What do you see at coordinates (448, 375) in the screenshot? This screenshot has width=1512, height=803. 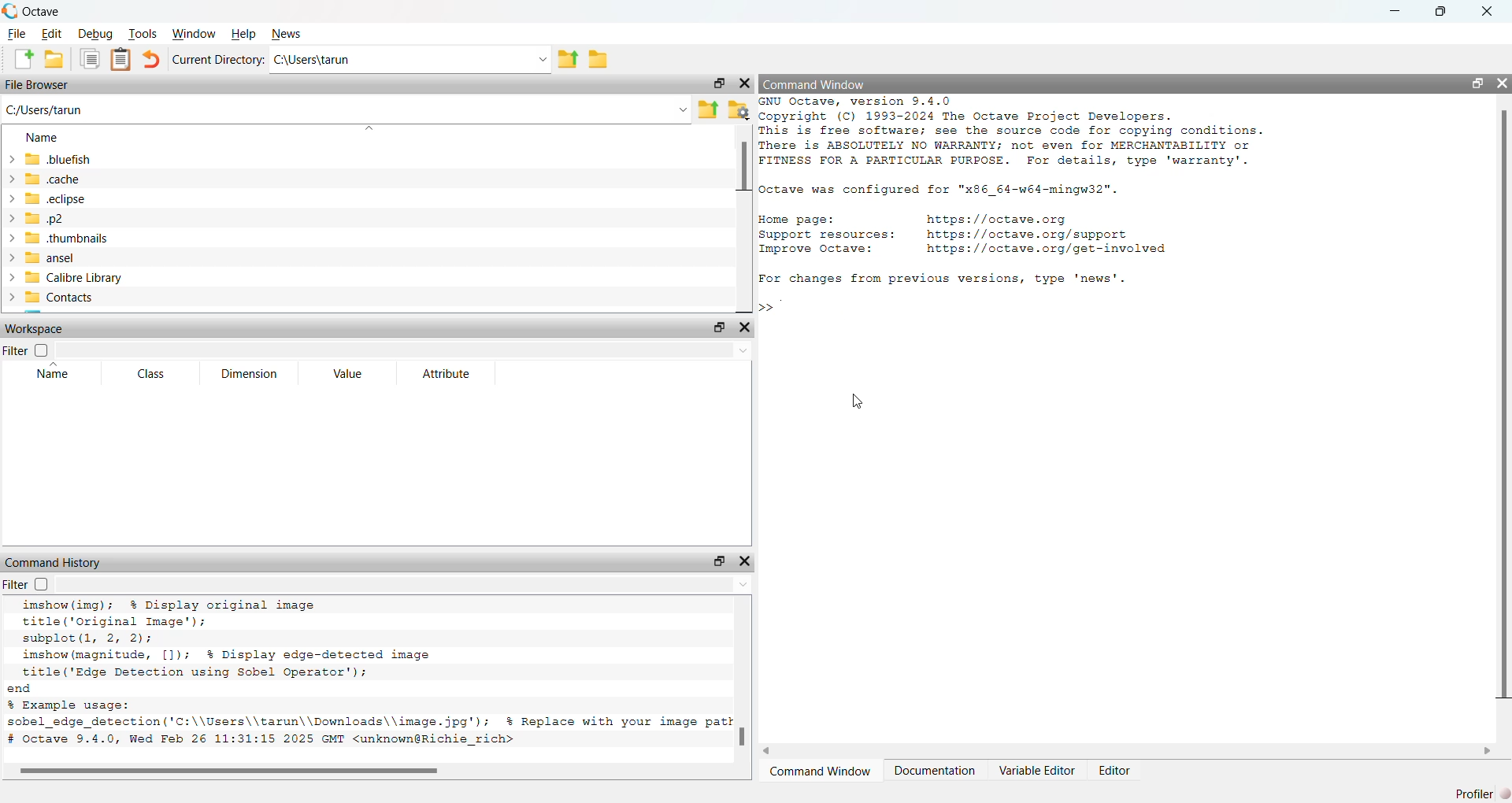 I see `Attribute` at bounding box center [448, 375].